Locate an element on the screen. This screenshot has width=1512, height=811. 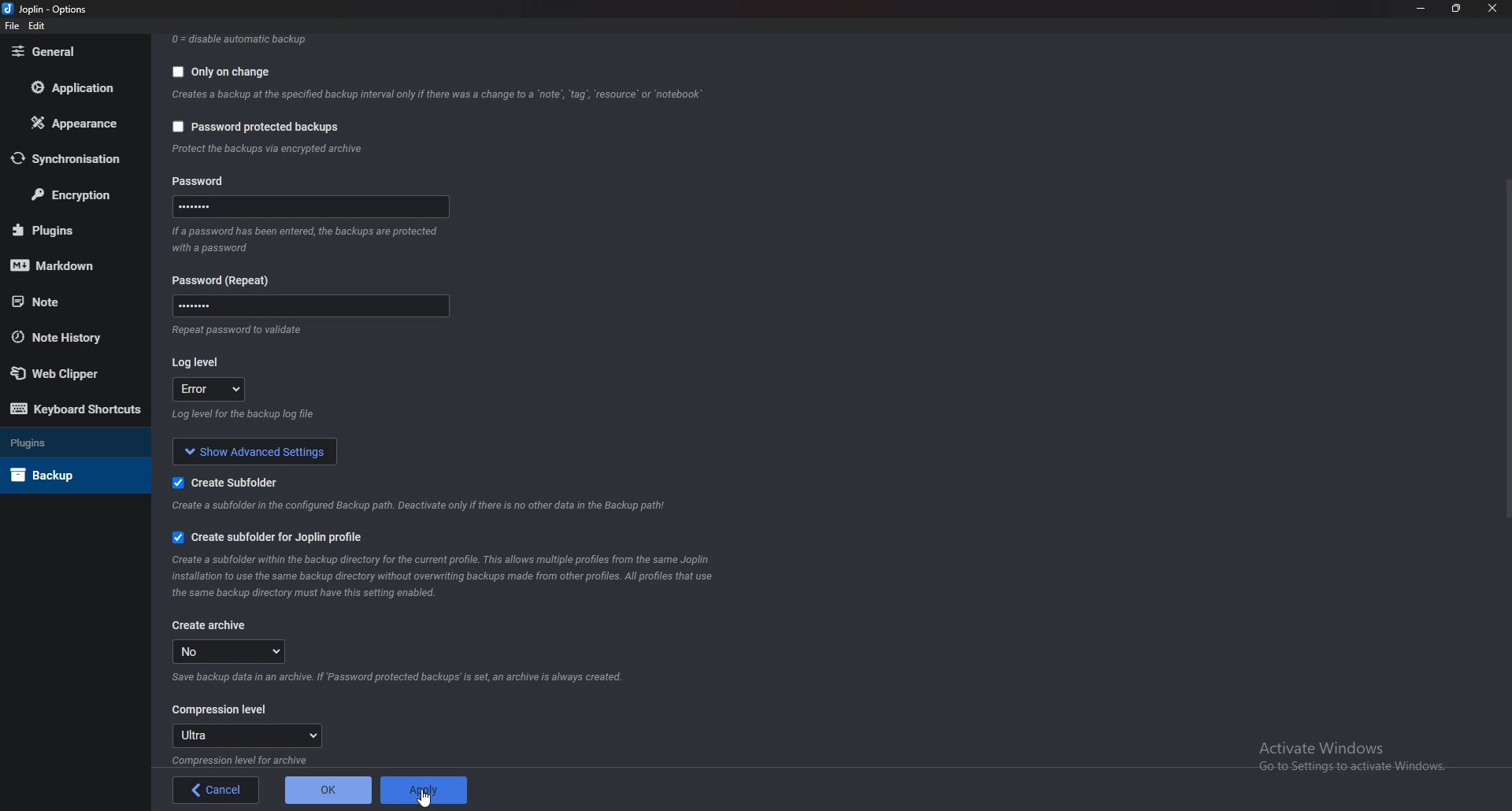
Password is located at coordinates (221, 279).